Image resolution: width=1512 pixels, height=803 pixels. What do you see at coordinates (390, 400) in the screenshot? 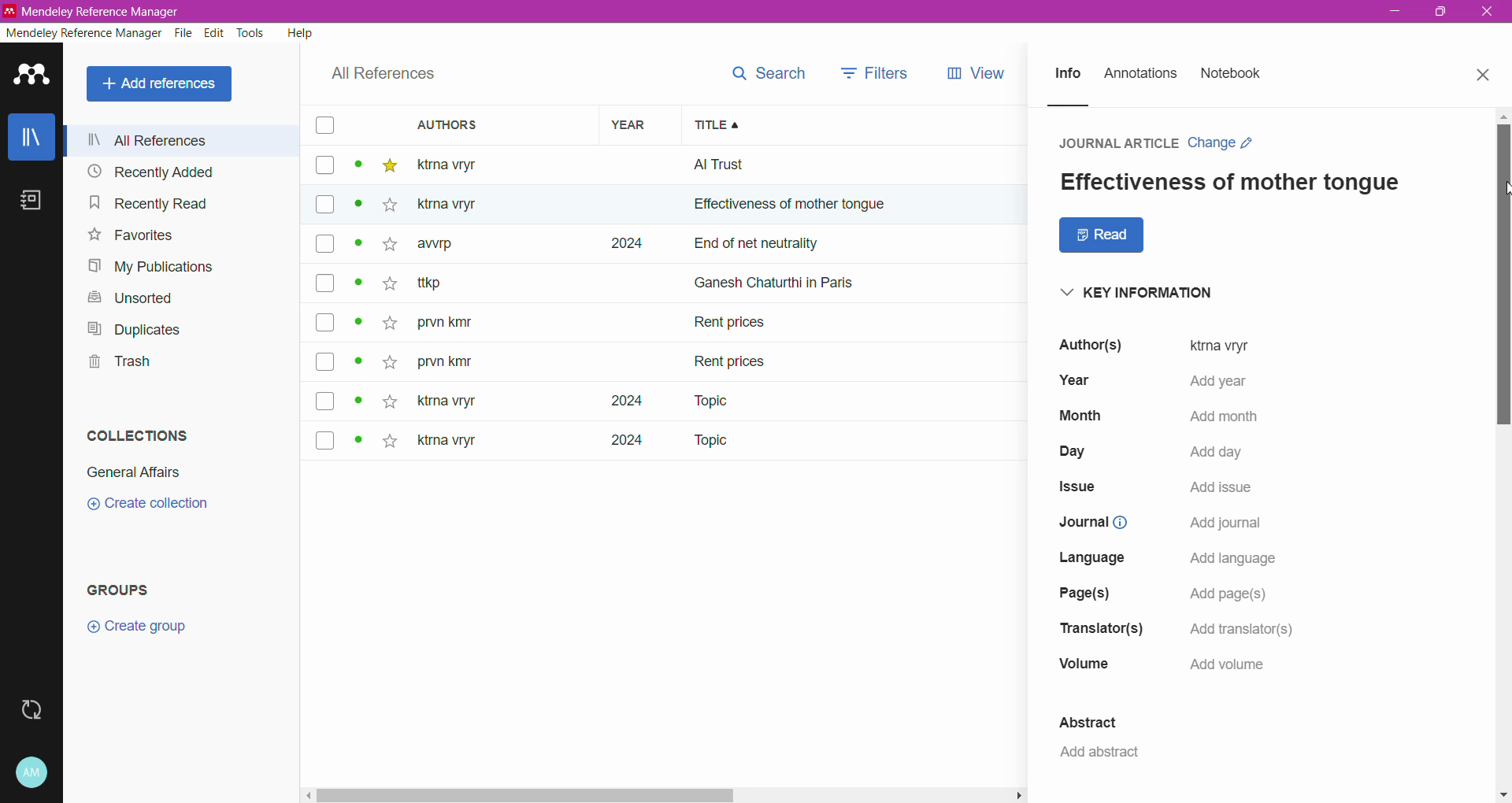
I see `star` at bounding box center [390, 400].